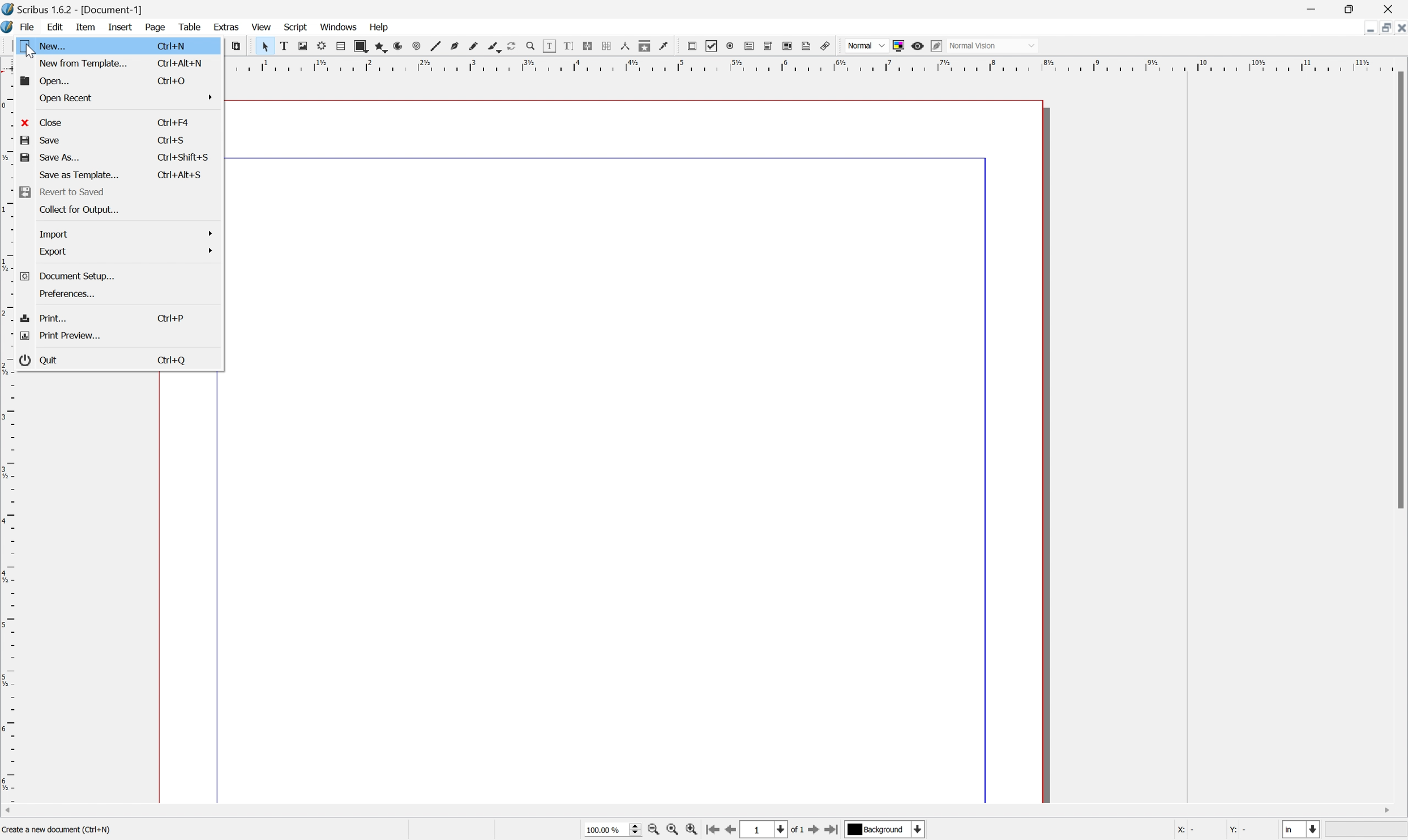 The height and width of the screenshot is (840, 1408). I want to click on ctrl+n, so click(172, 46).